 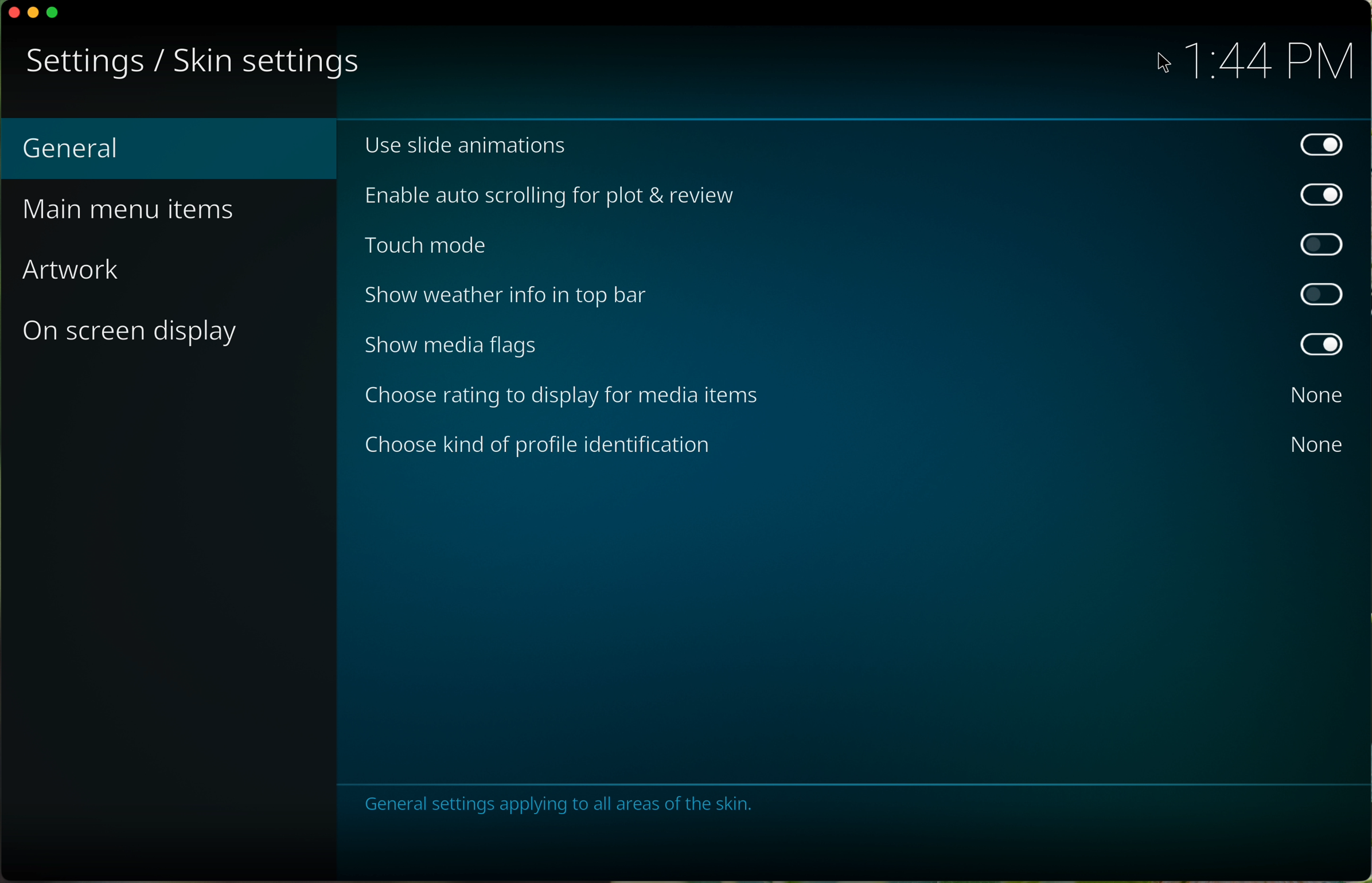 I want to click on skin settings, so click(x=258, y=64).